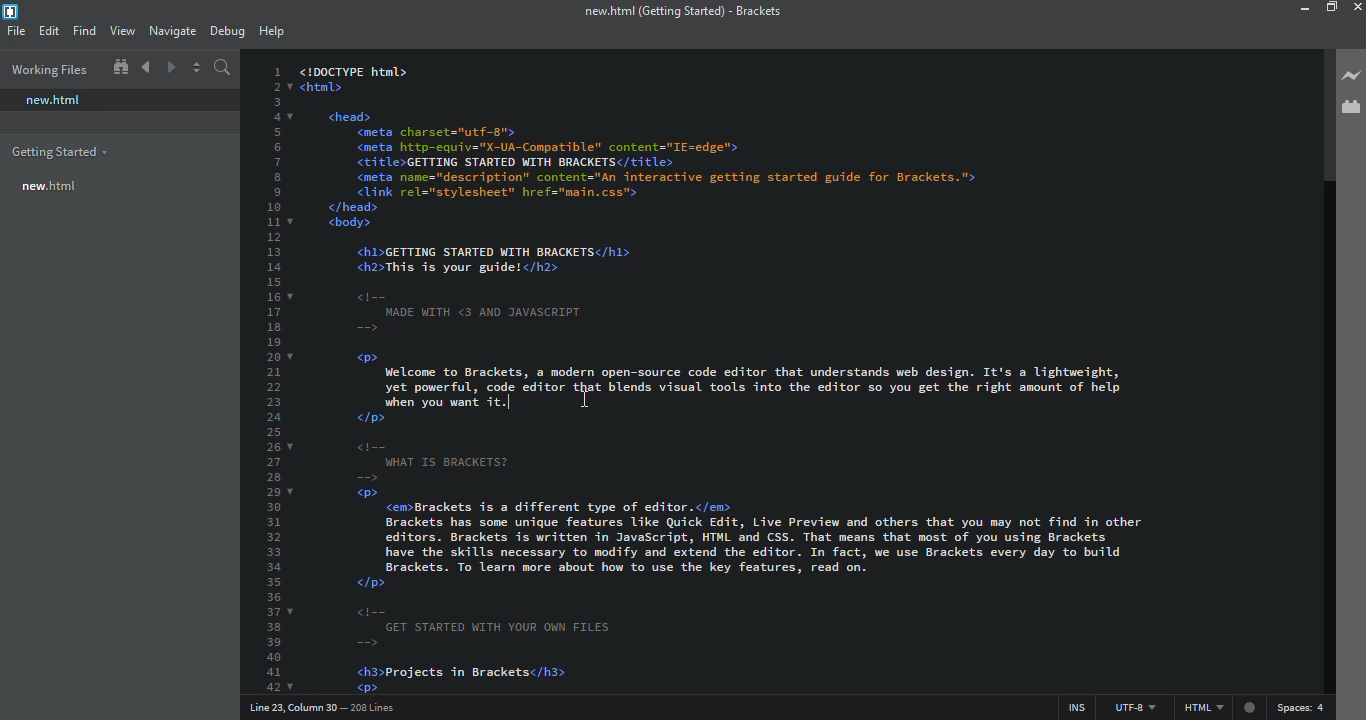 The image size is (1366, 720). I want to click on test code, so click(705, 198).